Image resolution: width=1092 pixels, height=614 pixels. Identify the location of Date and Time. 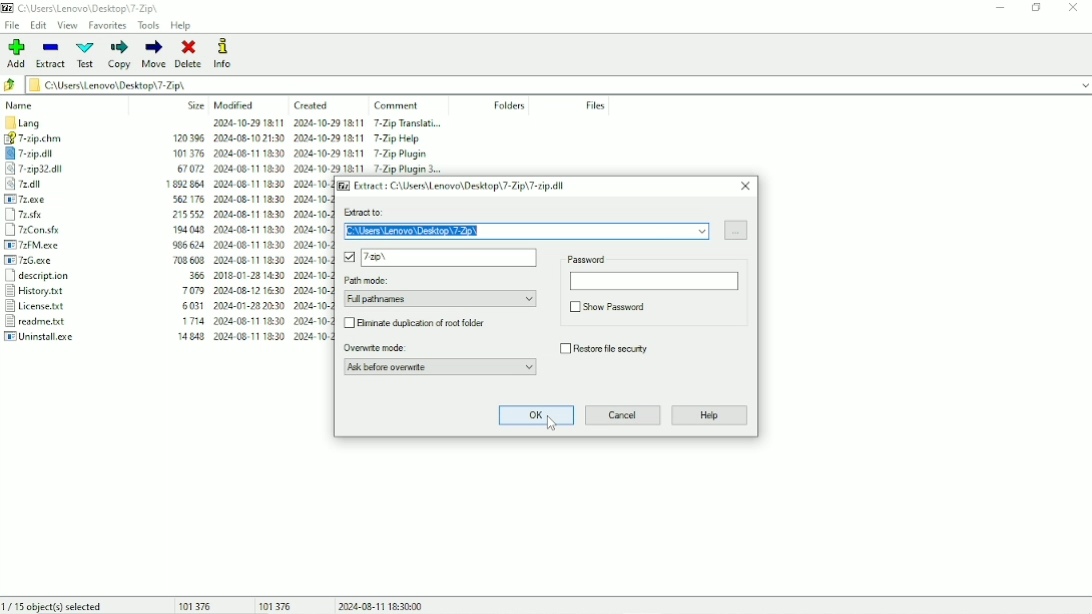
(381, 605).